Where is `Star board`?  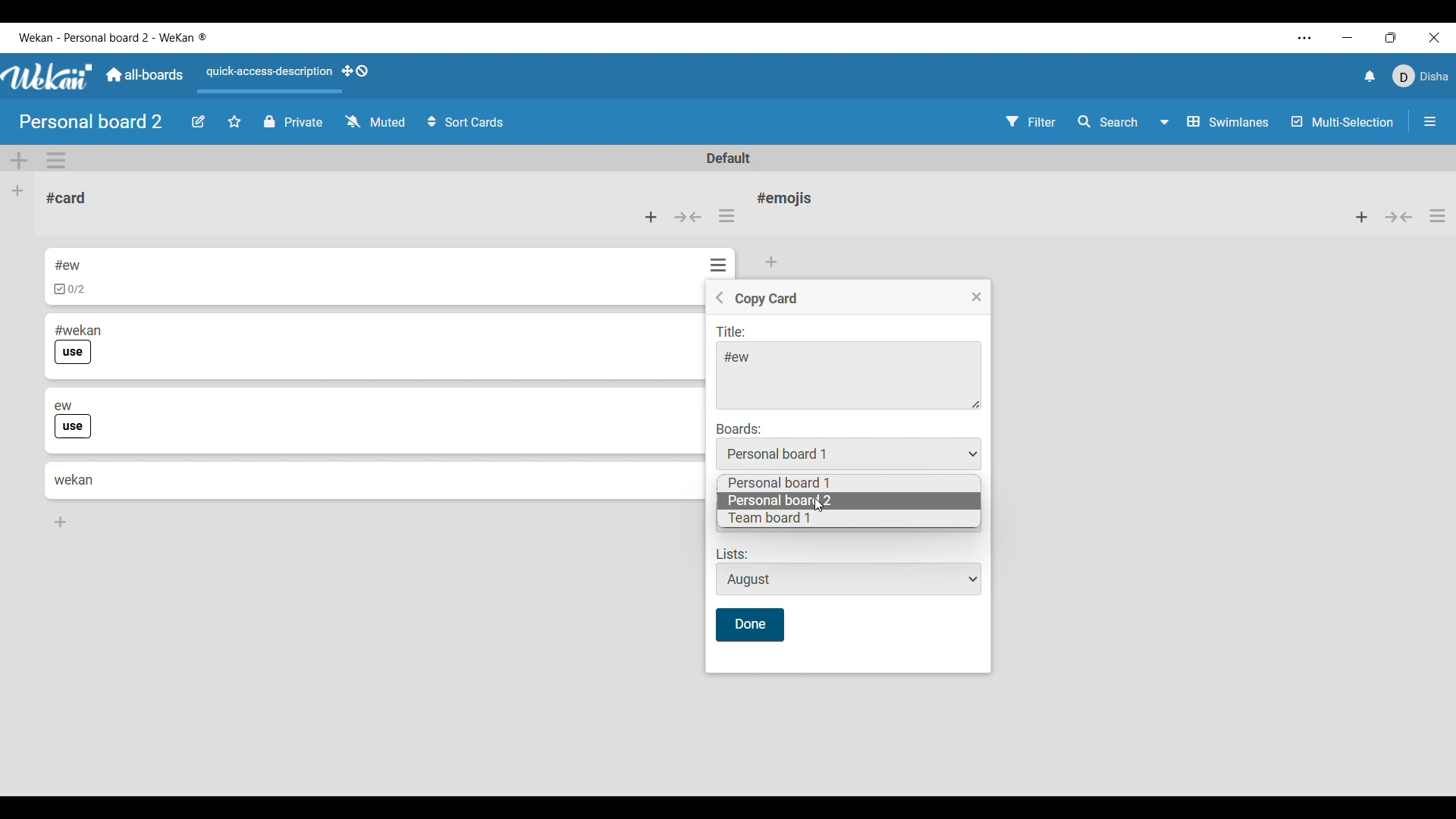 Star board is located at coordinates (234, 121).